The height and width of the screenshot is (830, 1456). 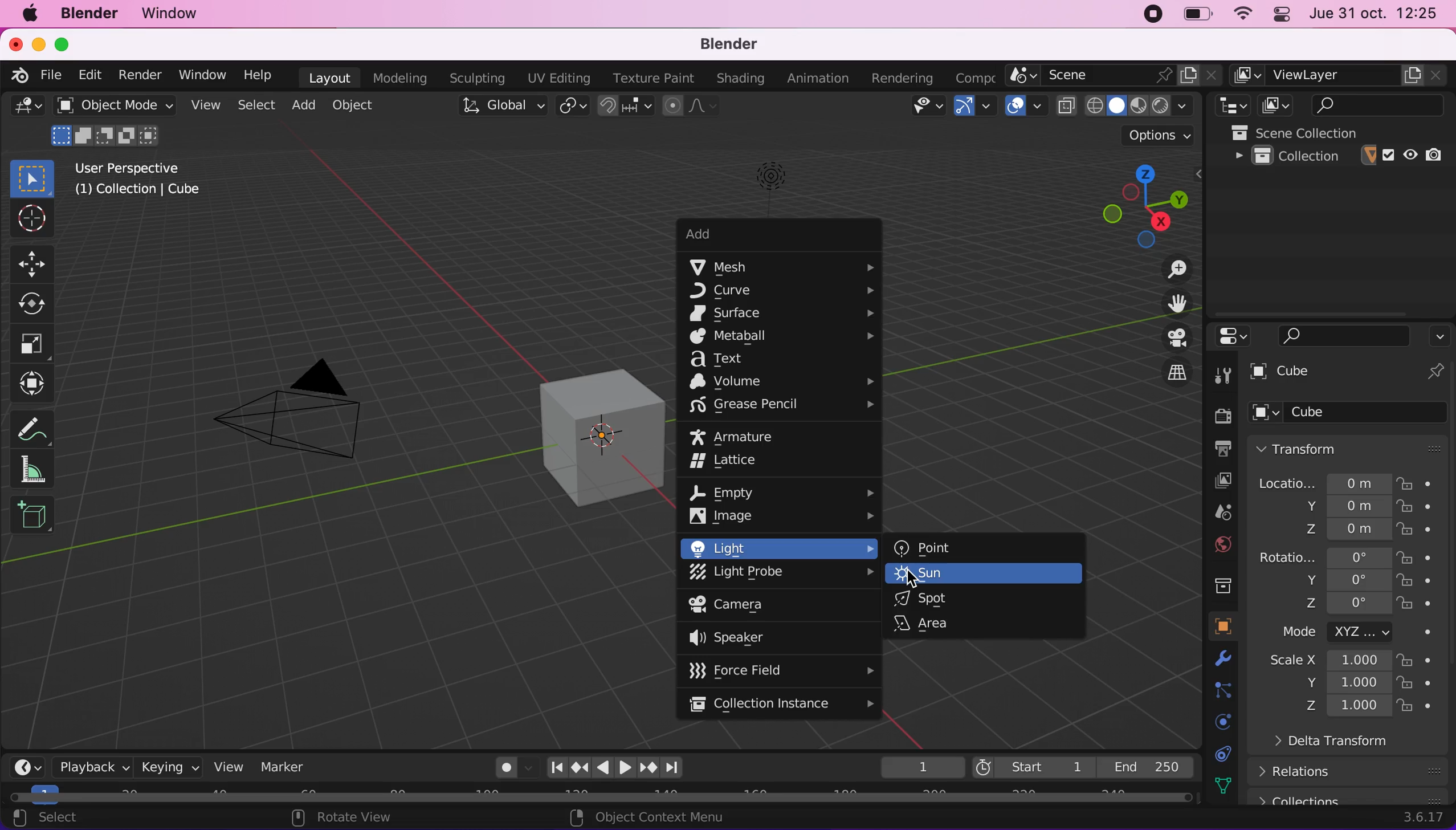 I want to click on mesh, so click(x=784, y=266).